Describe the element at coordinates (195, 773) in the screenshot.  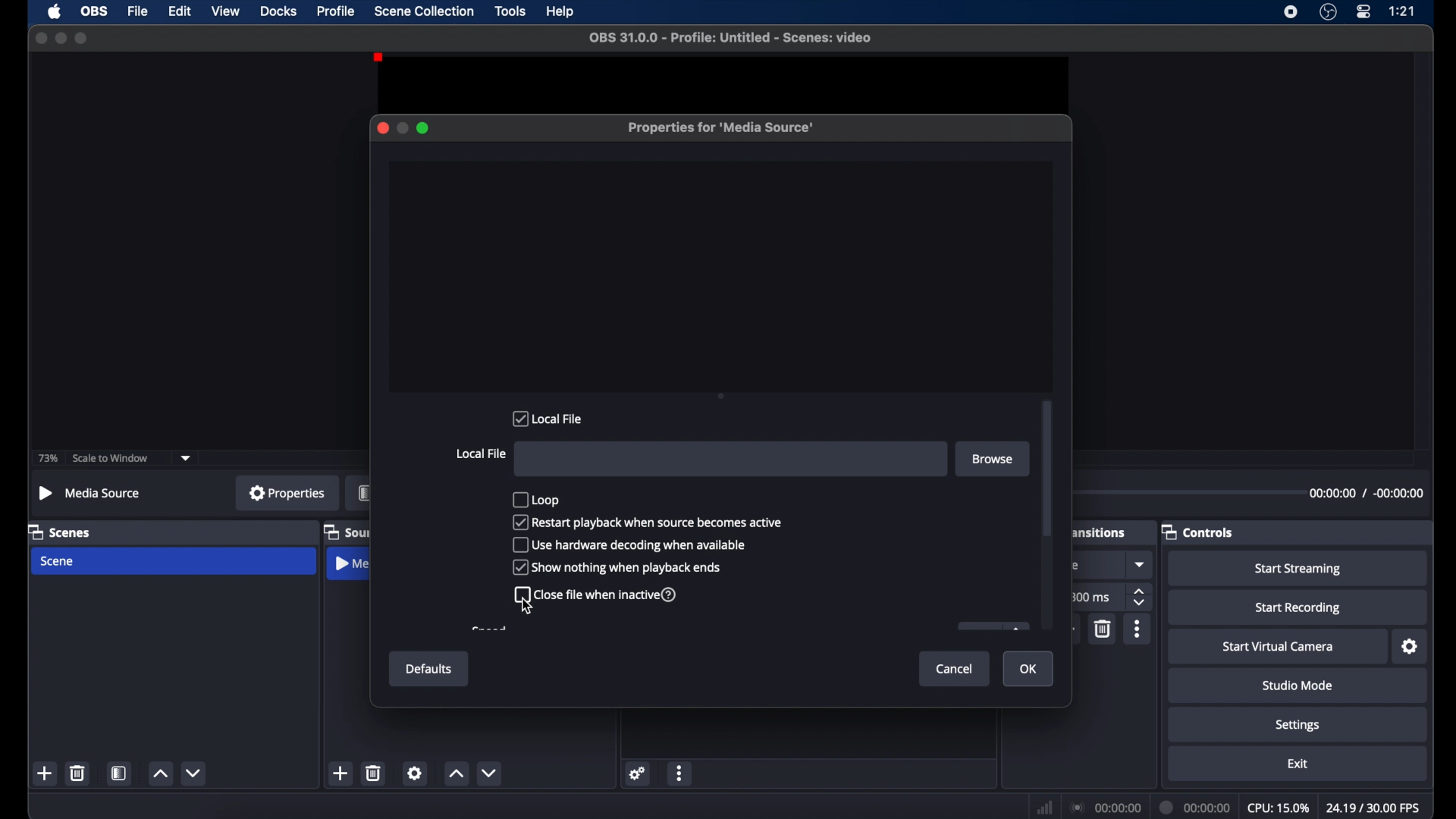
I see `decrement` at that location.